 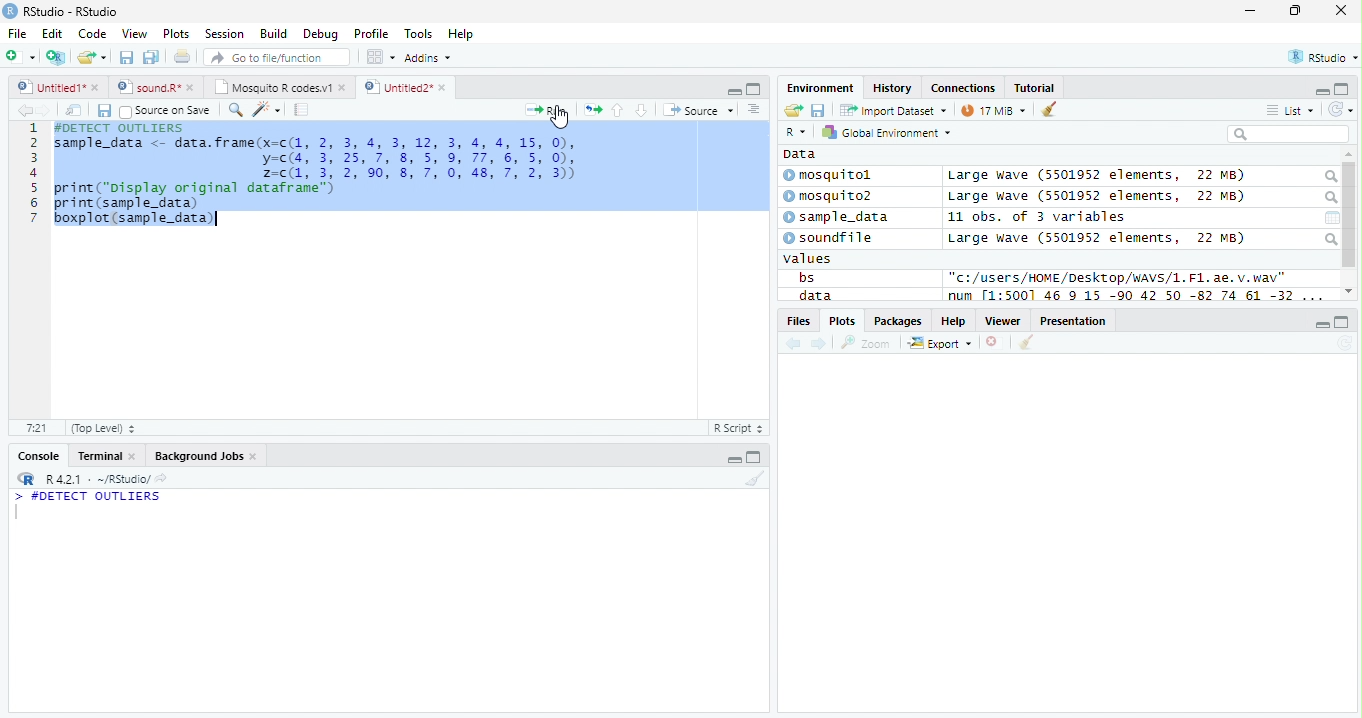 I want to click on Global Environment, so click(x=884, y=131).